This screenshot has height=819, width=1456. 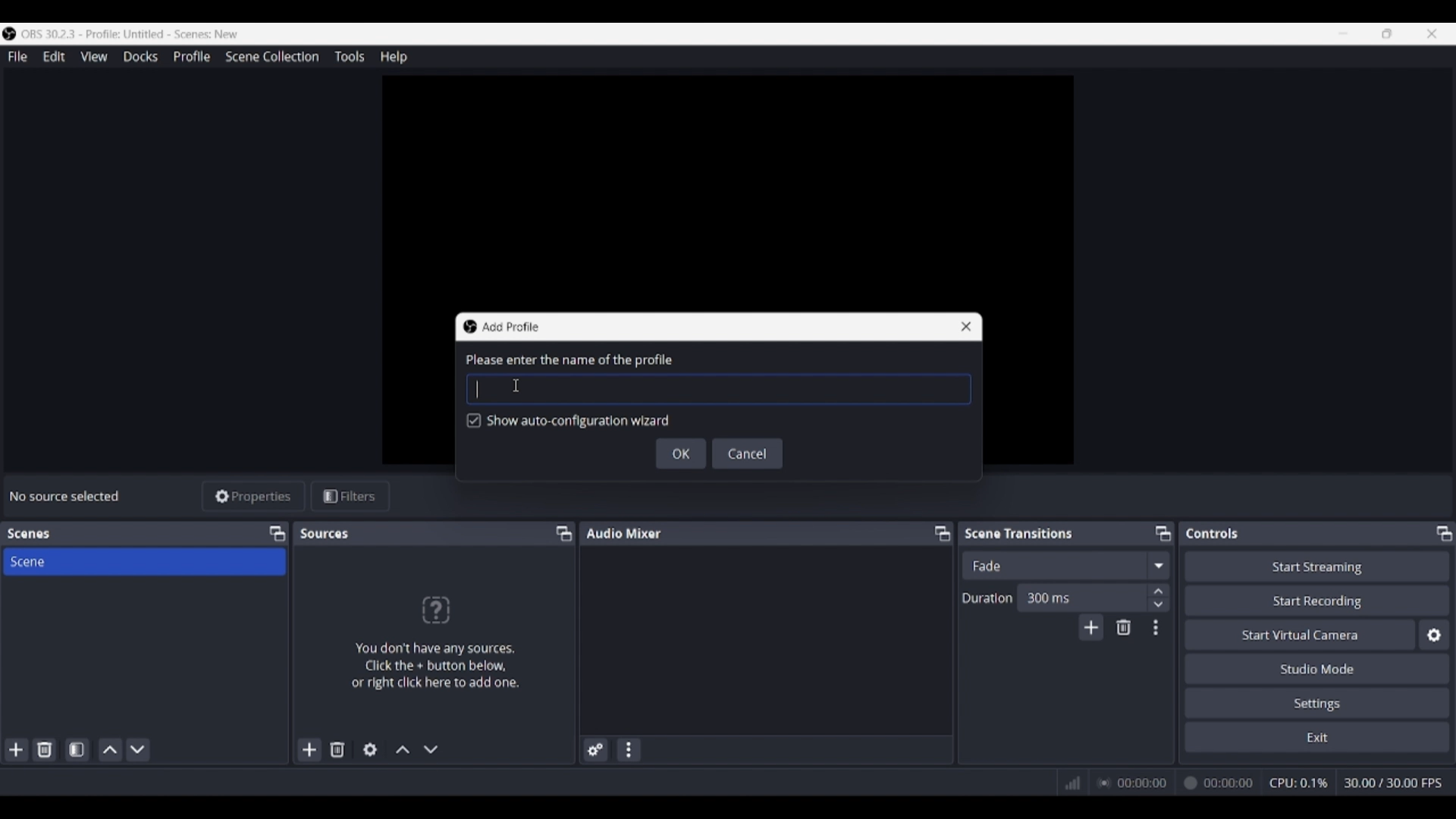 I want to click on Toggle for Show auto-configuration wizard, so click(x=569, y=422).